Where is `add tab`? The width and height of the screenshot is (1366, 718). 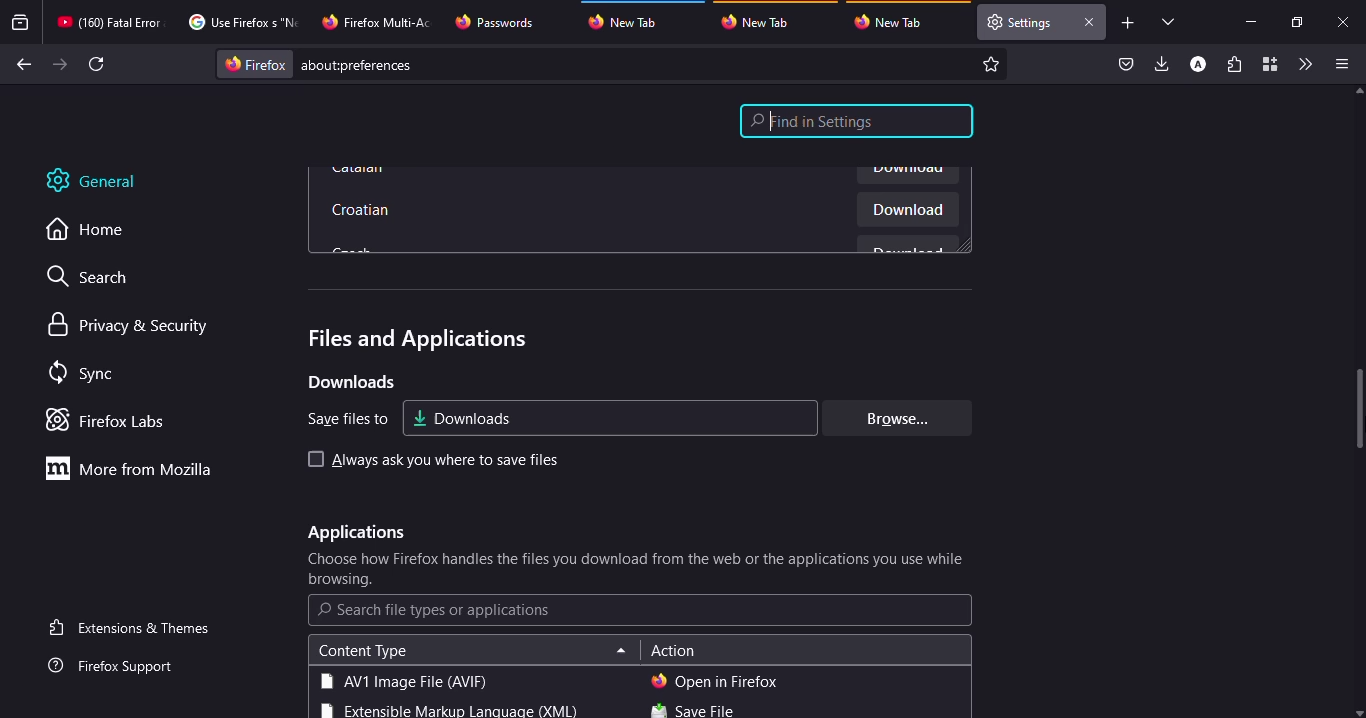 add tab is located at coordinates (1128, 23).